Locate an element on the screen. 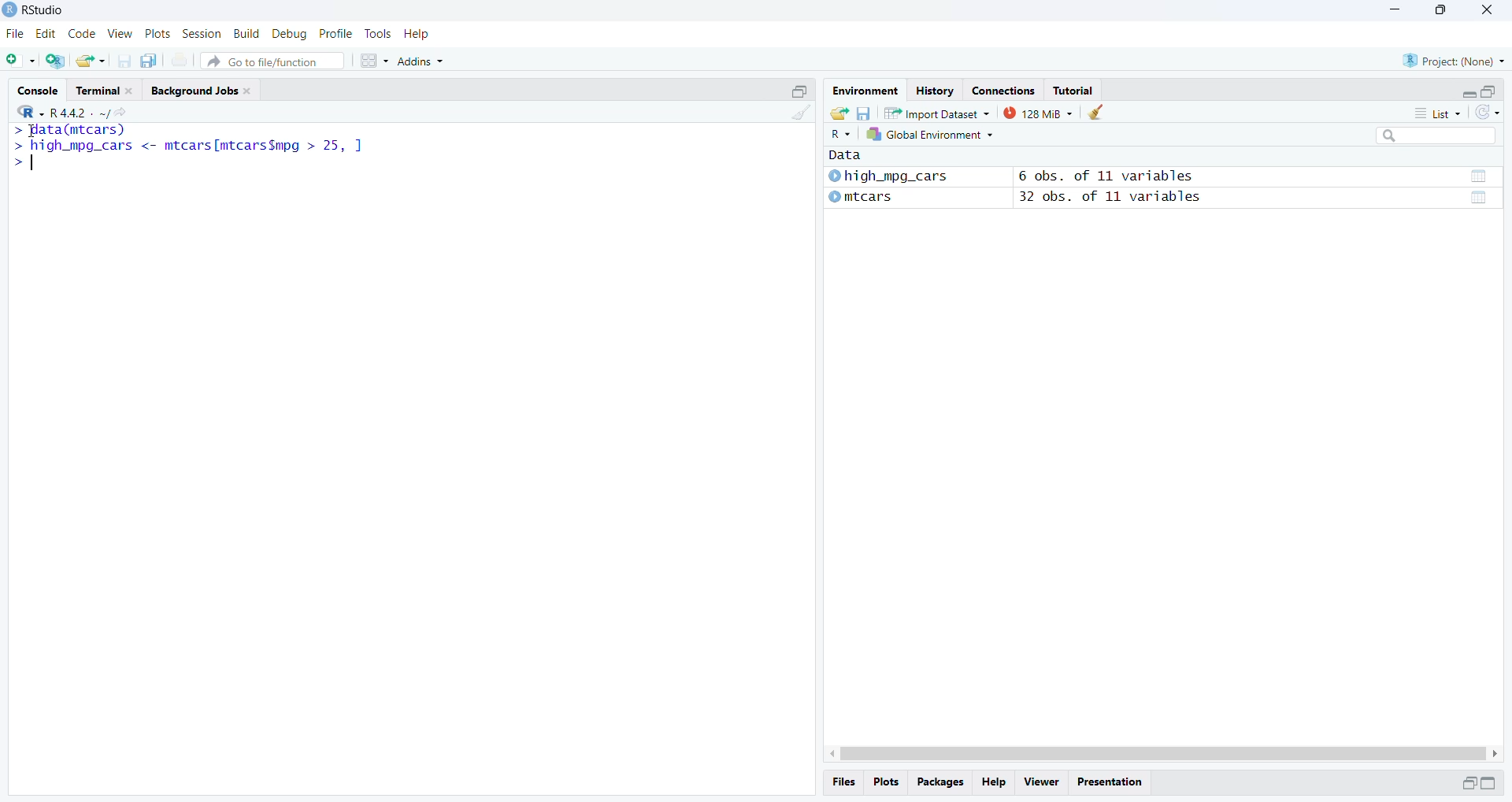  Code is located at coordinates (81, 34).